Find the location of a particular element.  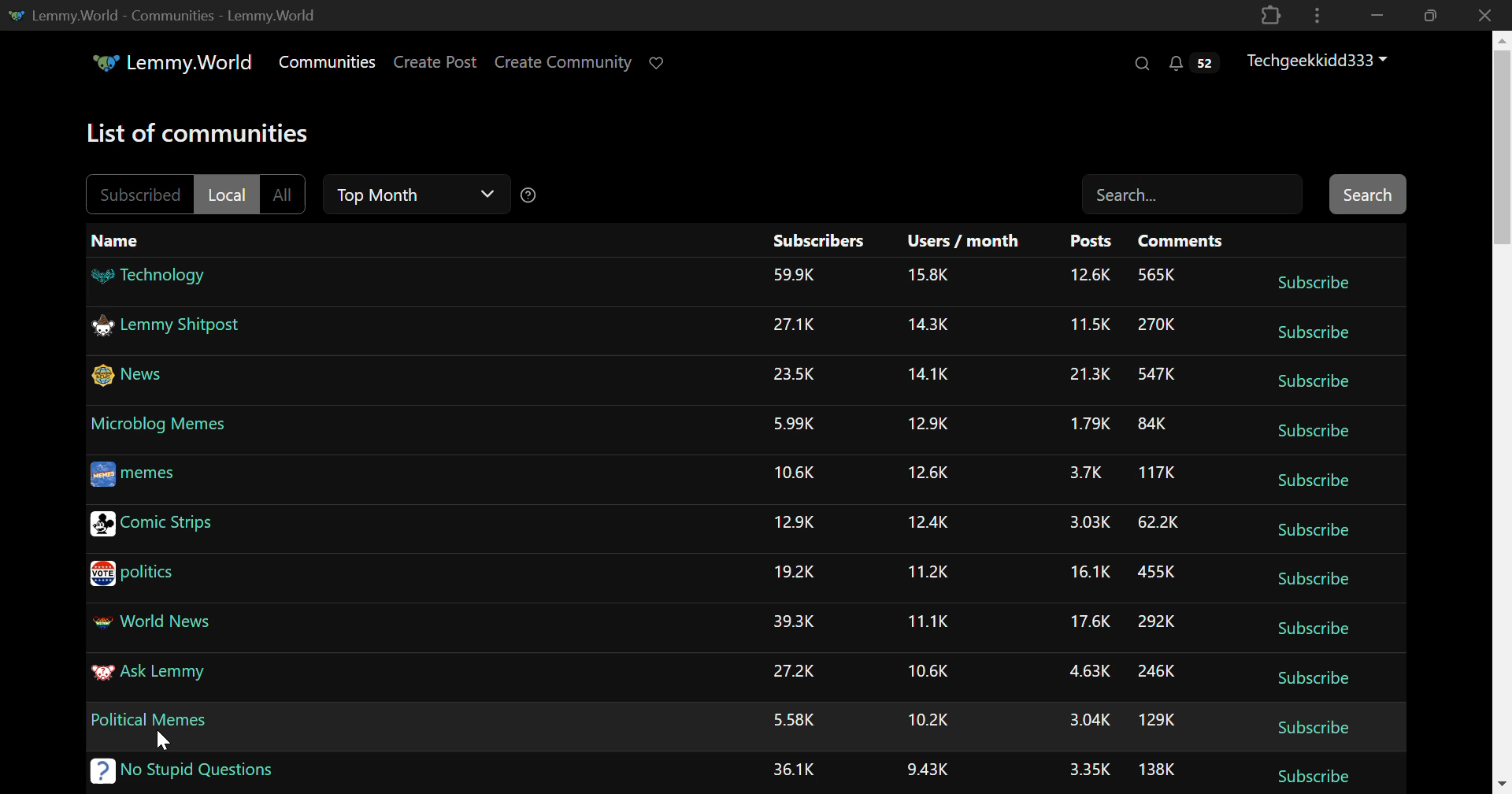

Vertical Scroll Bar is located at coordinates (1501, 415).